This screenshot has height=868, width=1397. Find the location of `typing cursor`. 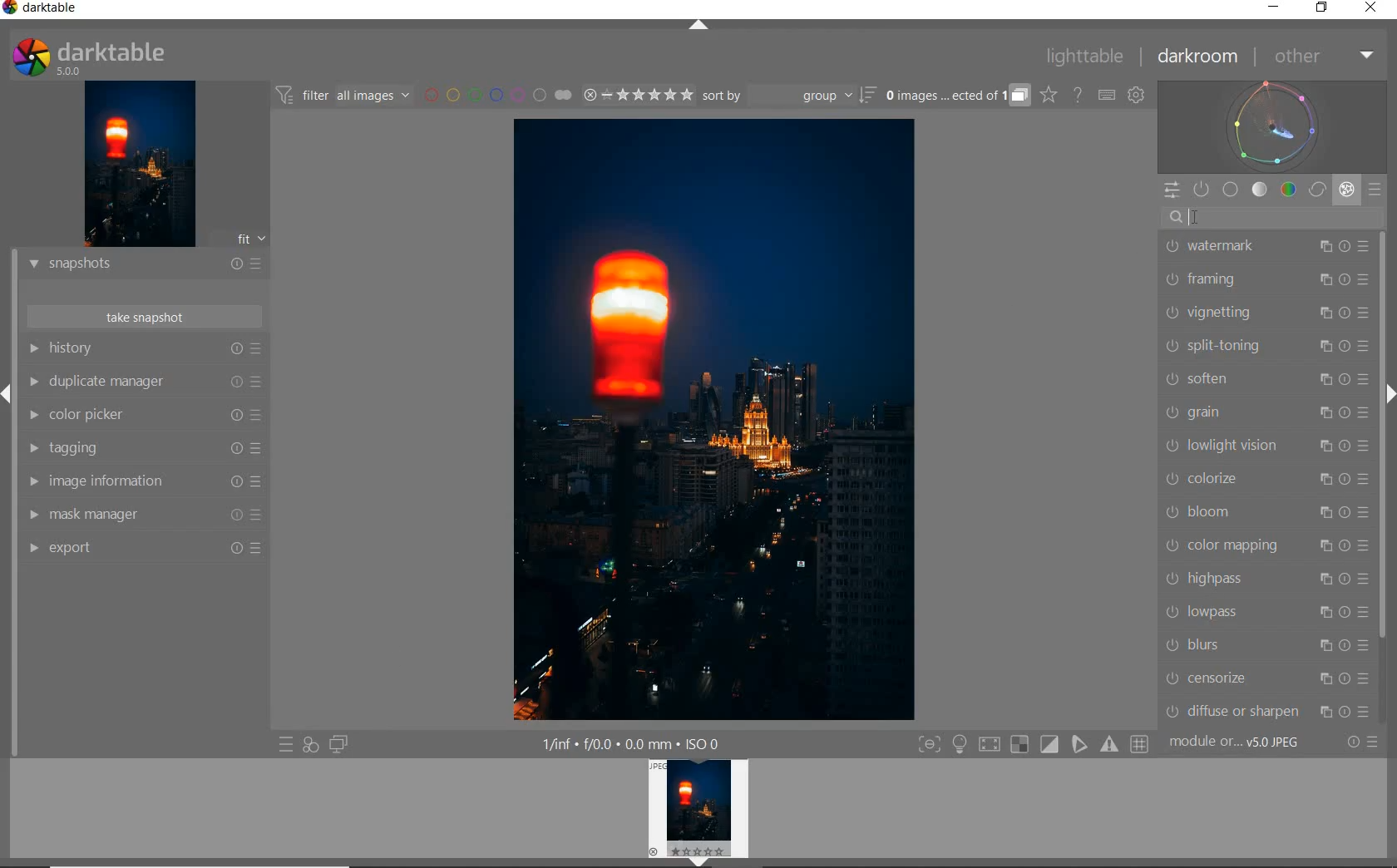

typing cursor is located at coordinates (1202, 218).